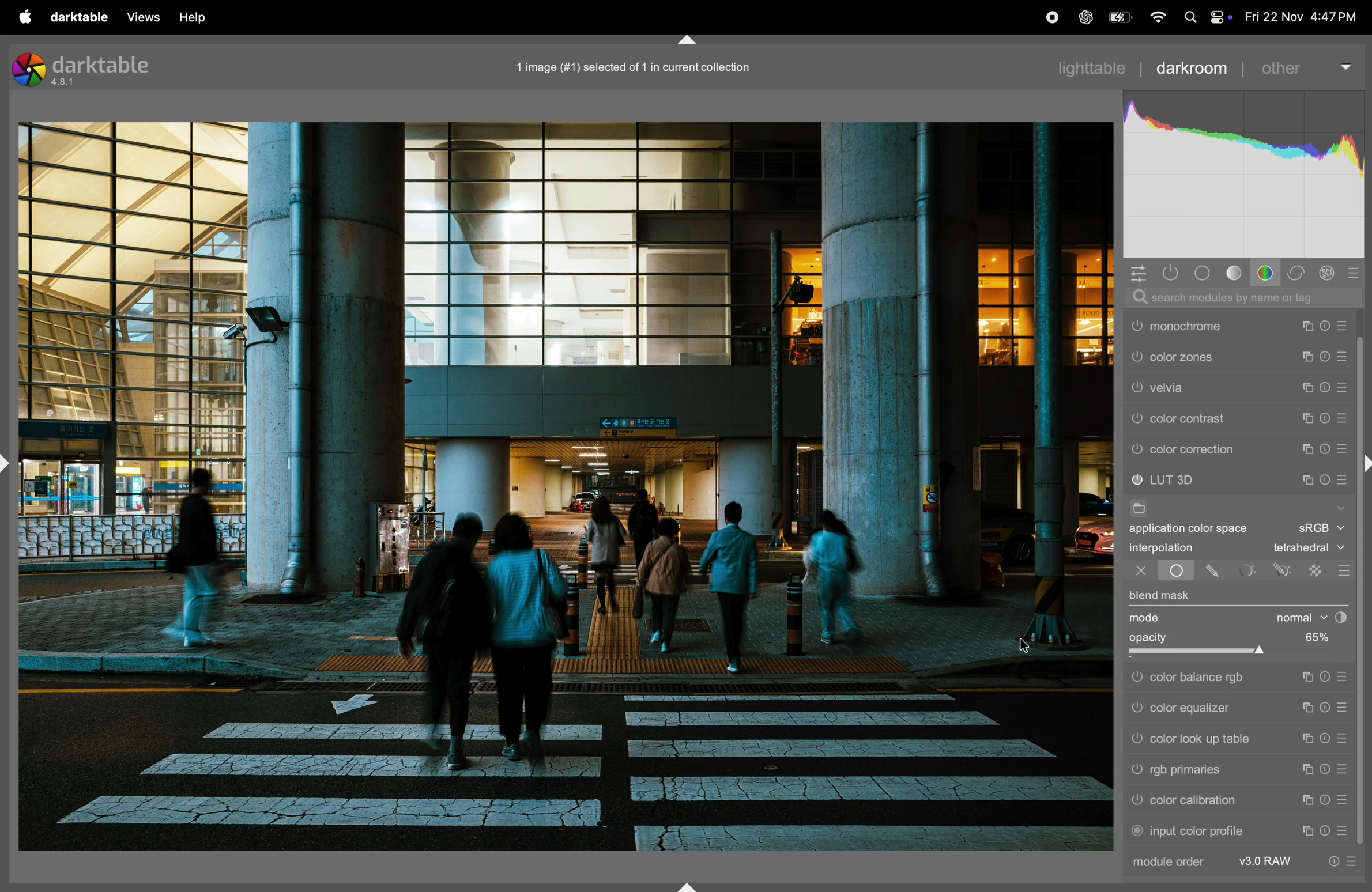 This screenshot has height=892, width=1372. I want to click on reset, so click(1326, 415).